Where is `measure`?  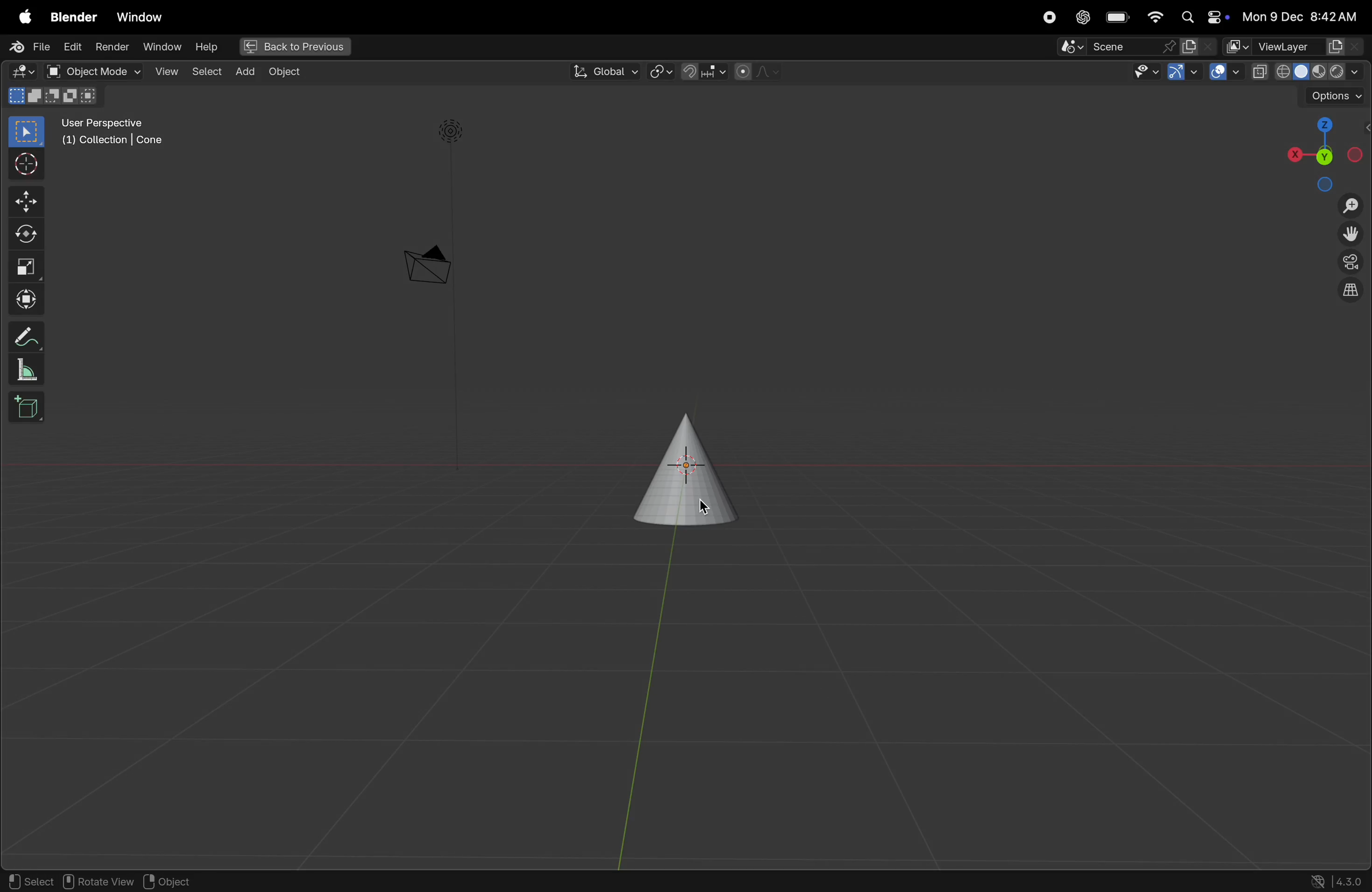 measure is located at coordinates (22, 368).